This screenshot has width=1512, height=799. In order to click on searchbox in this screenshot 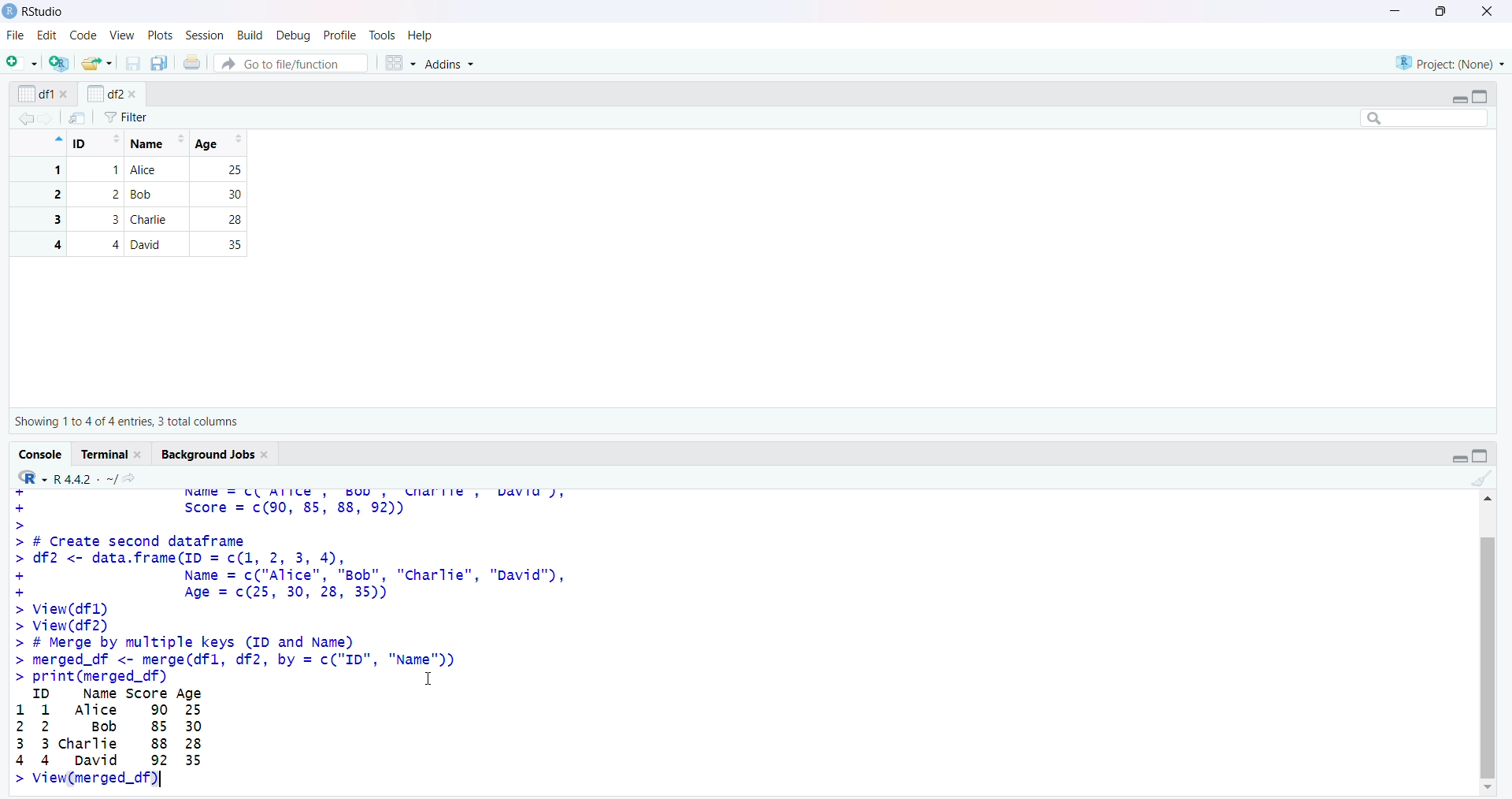, I will do `click(1425, 117)`.